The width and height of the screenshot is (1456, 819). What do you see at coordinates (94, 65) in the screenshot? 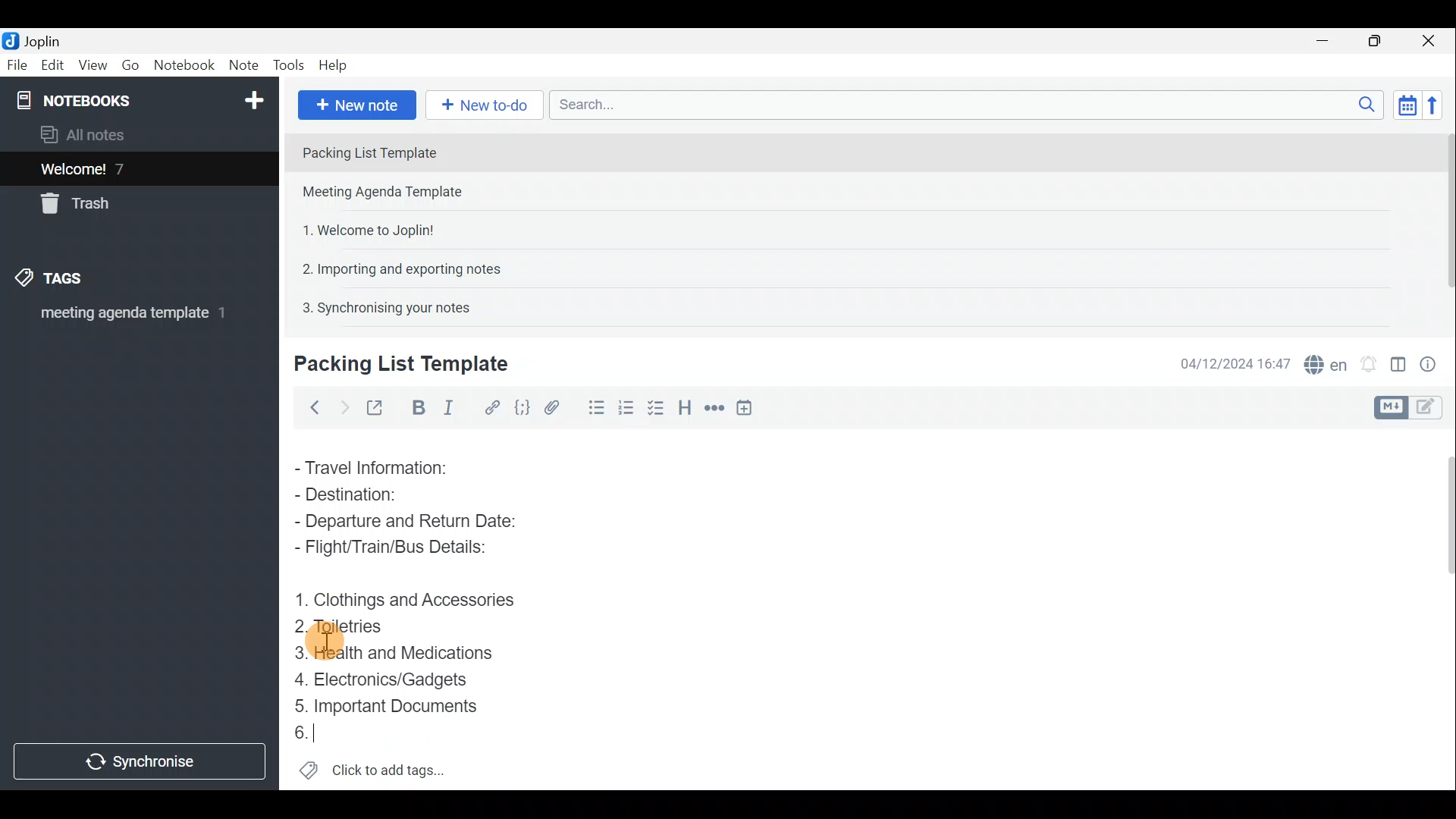
I see `View` at bounding box center [94, 65].